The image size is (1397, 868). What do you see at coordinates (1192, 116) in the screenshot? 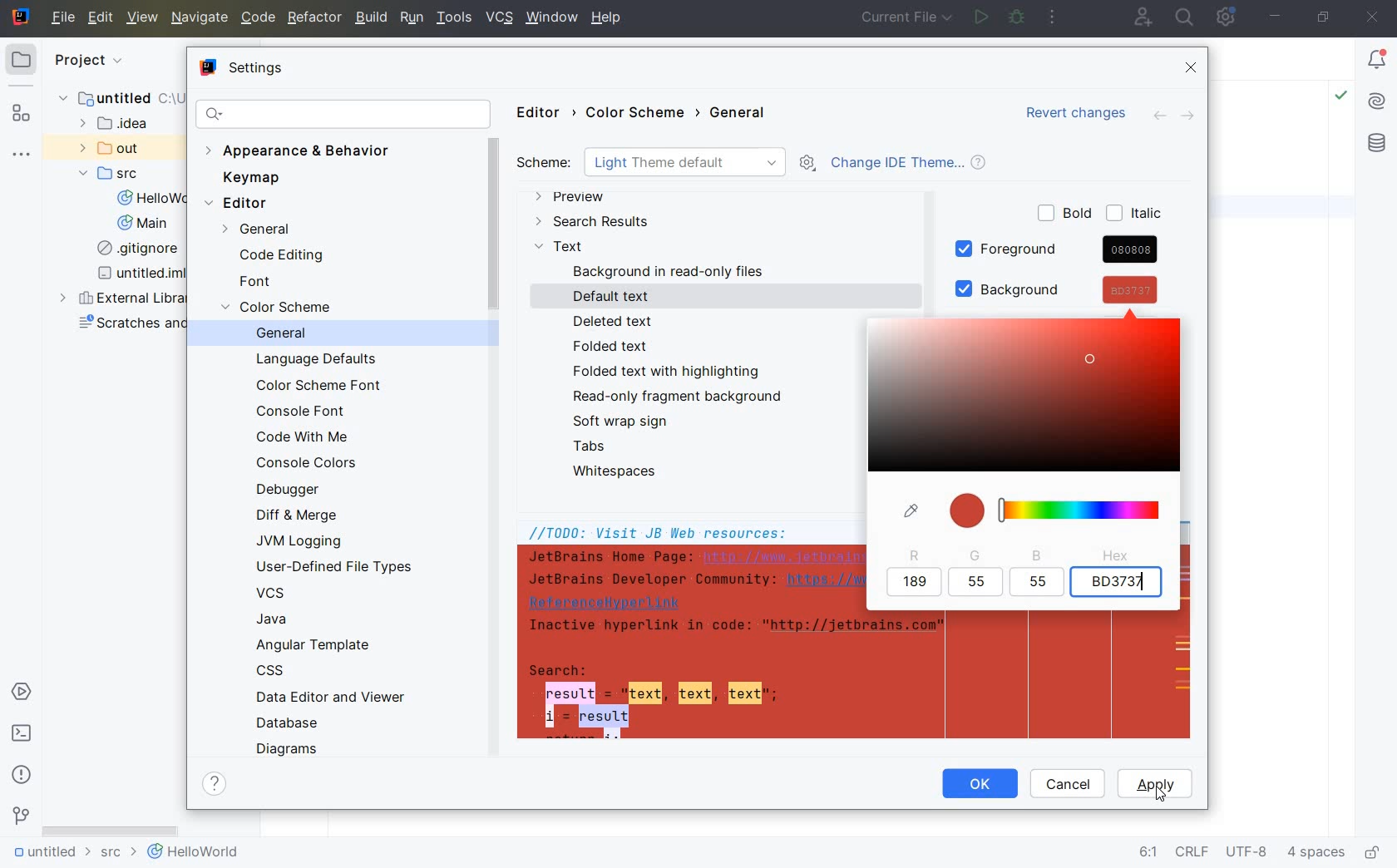
I see `FORWARD` at bounding box center [1192, 116].